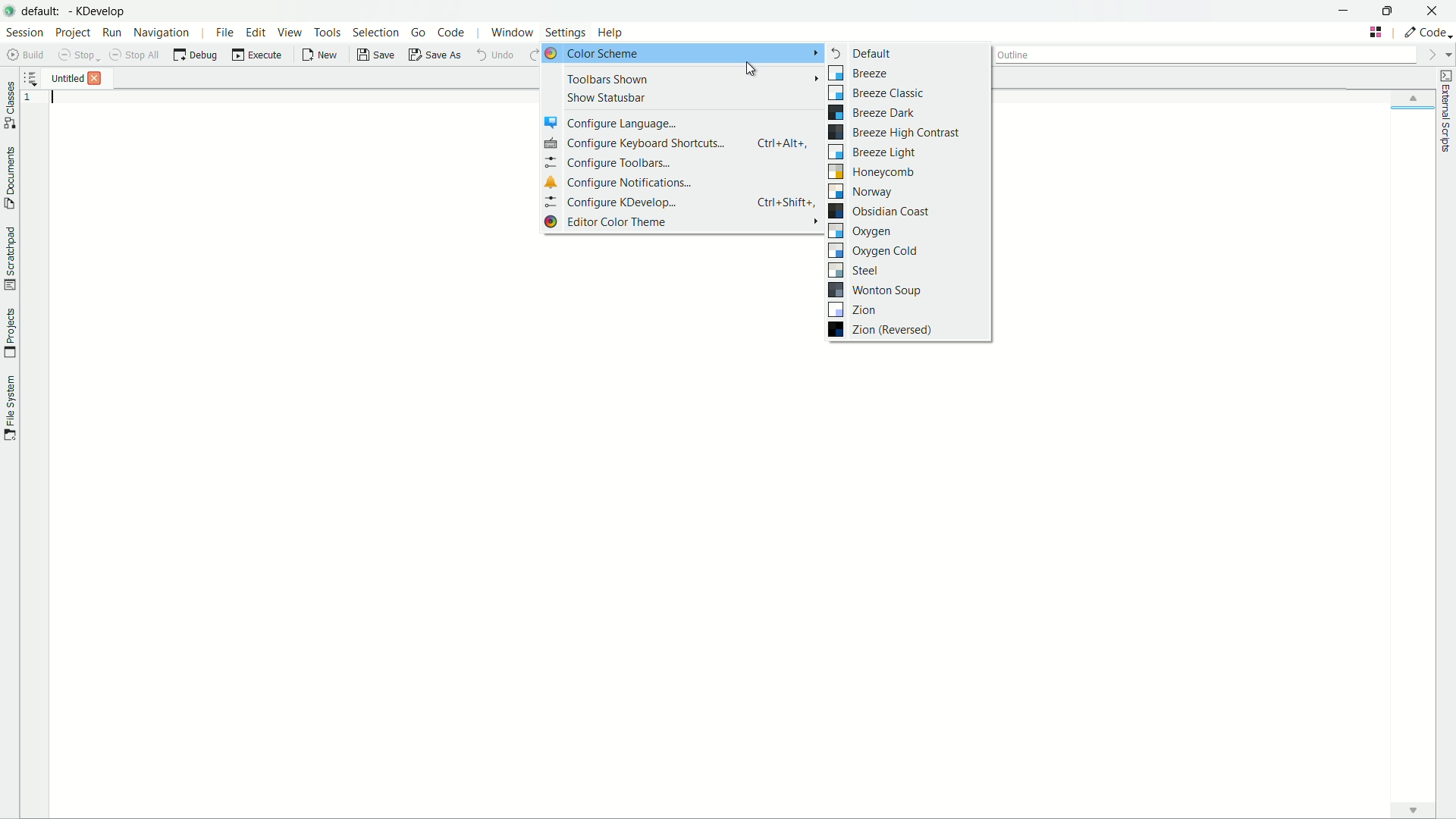  Describe the element at coordinates (895, 132) in the screenshot. I see `breeze high contrast` at that location.